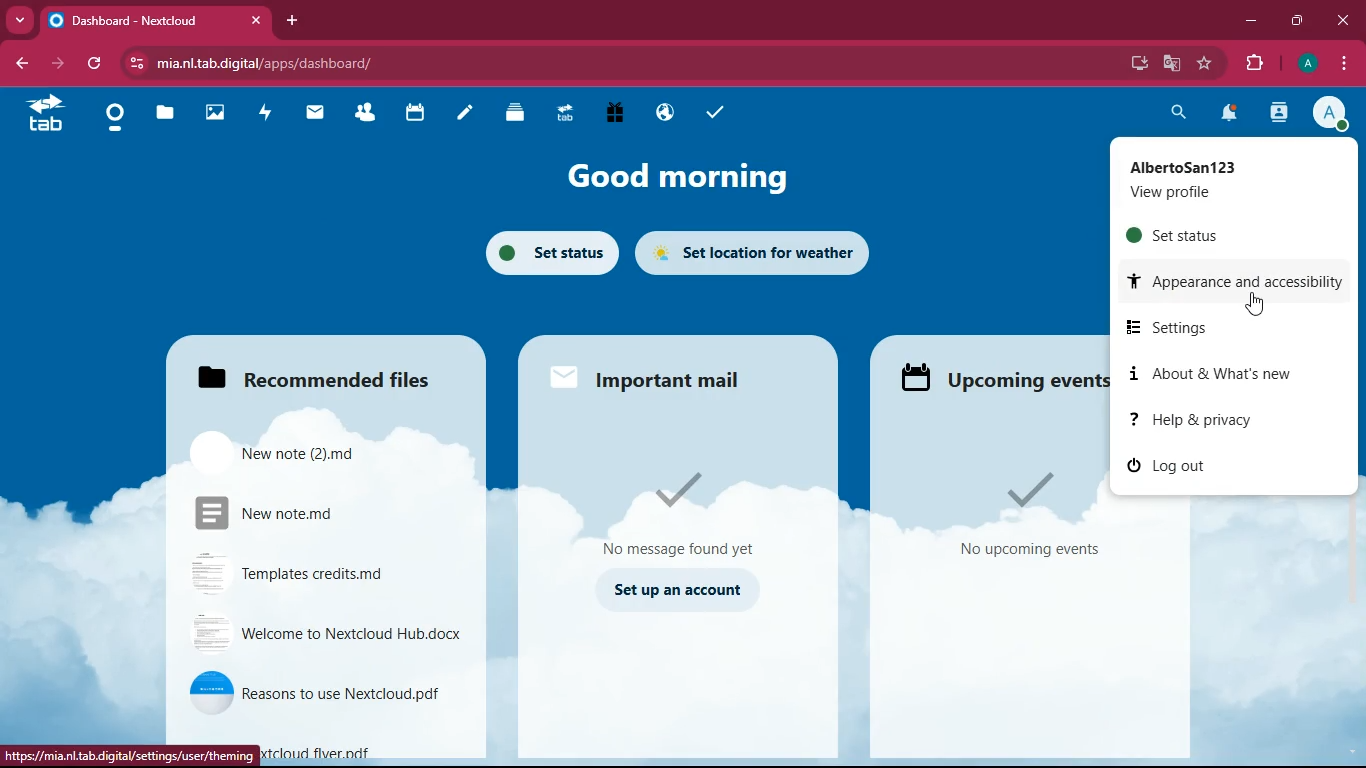 This screenshot has width=1366, height=768. I want to click on friends, so click(371, 112).